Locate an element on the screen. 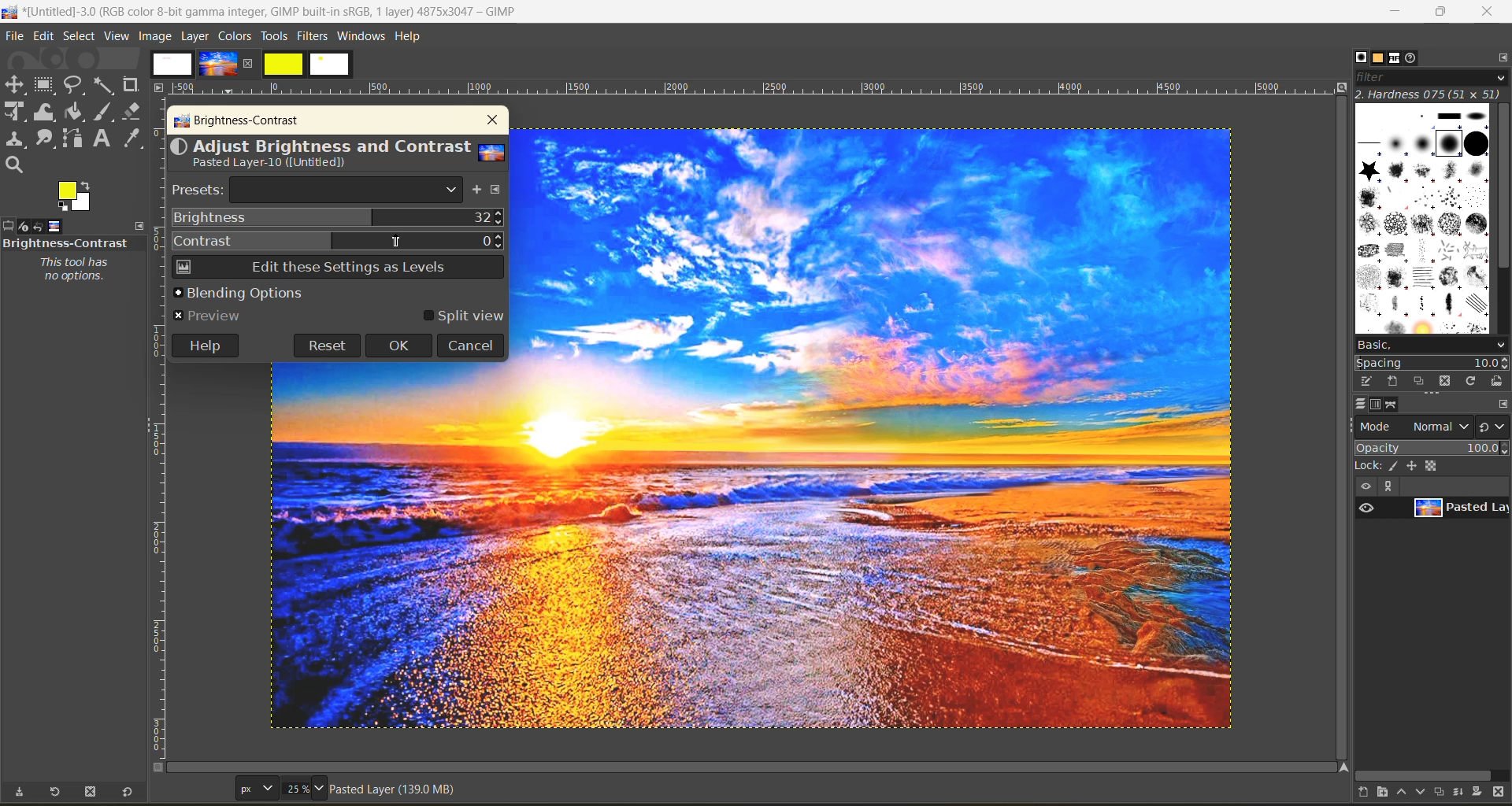  create a new layer group is located at coordinates (1390, 793).